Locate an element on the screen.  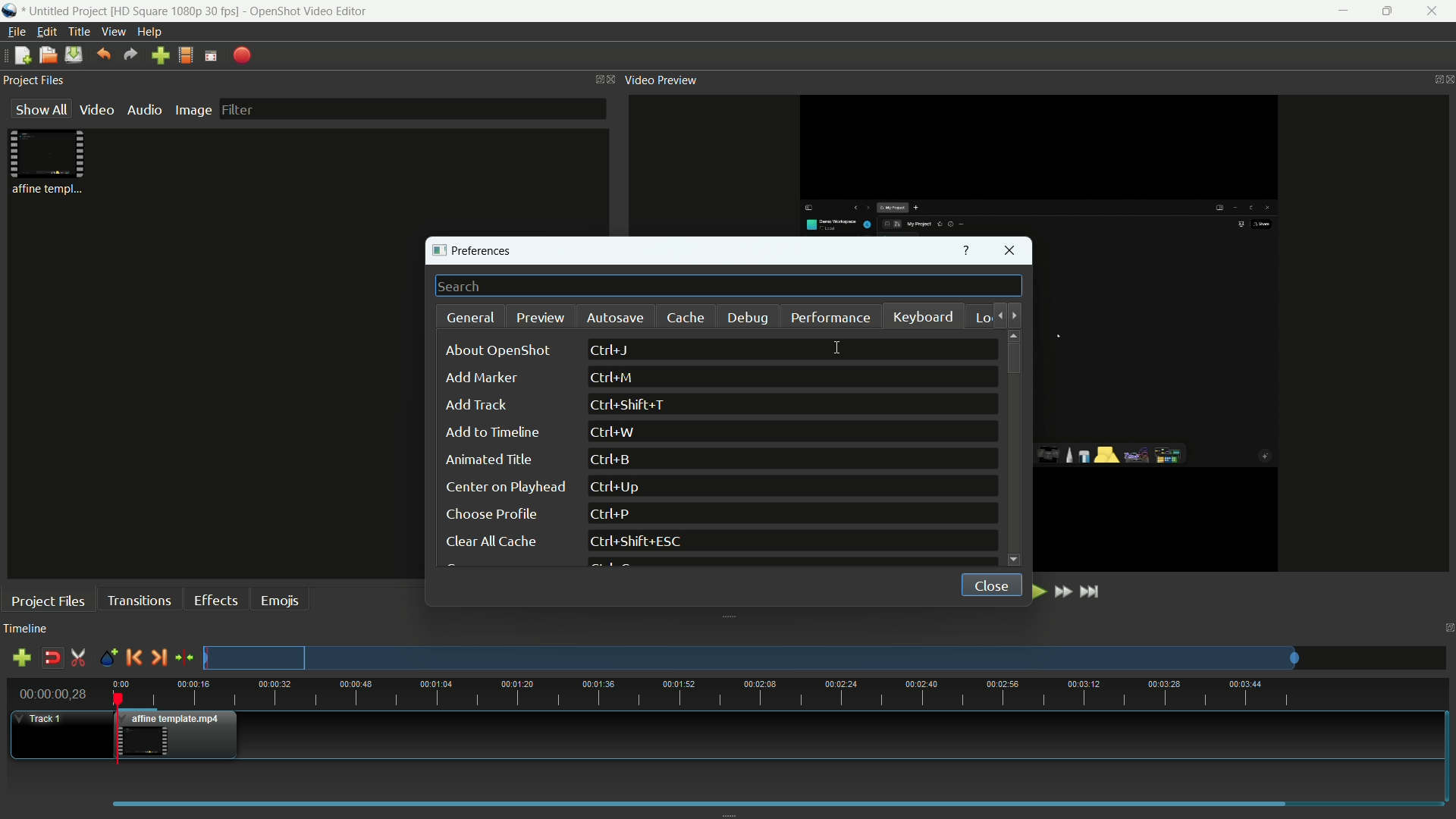
keyboard shortcut is located at coordinates (613, 460).